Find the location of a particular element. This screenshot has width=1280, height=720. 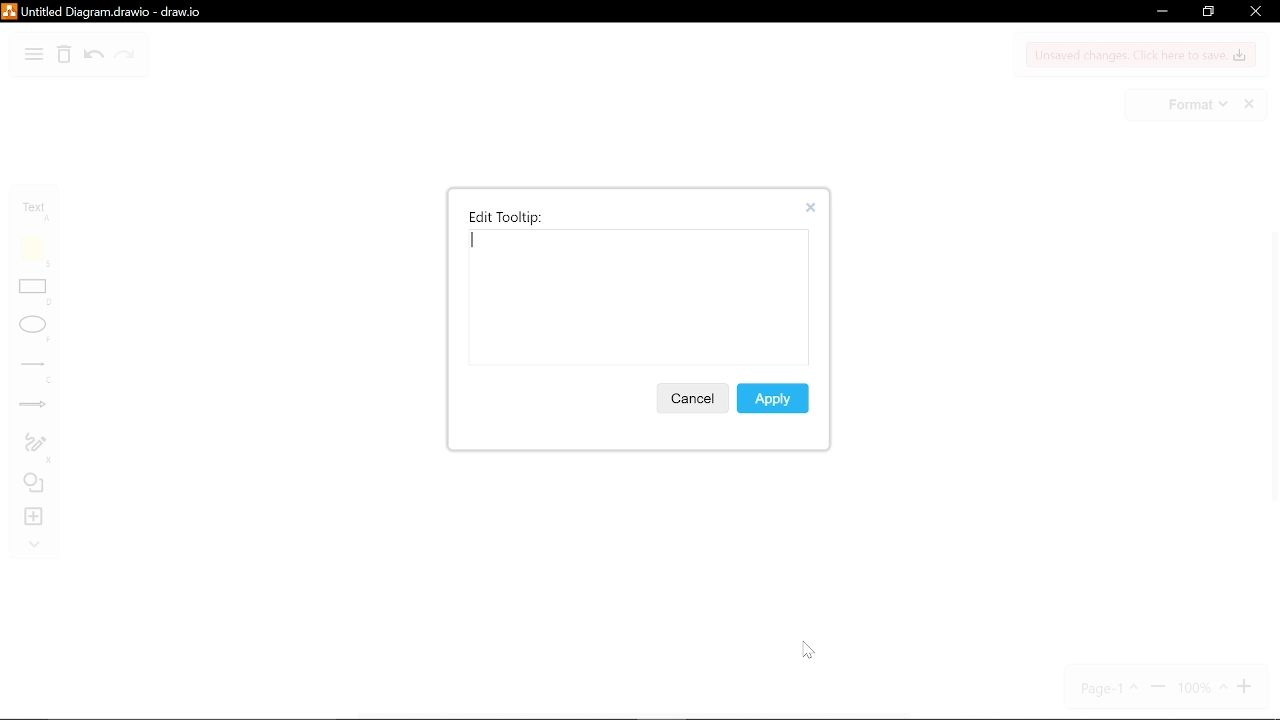

zoom in is located at coordinates (1247, 687).